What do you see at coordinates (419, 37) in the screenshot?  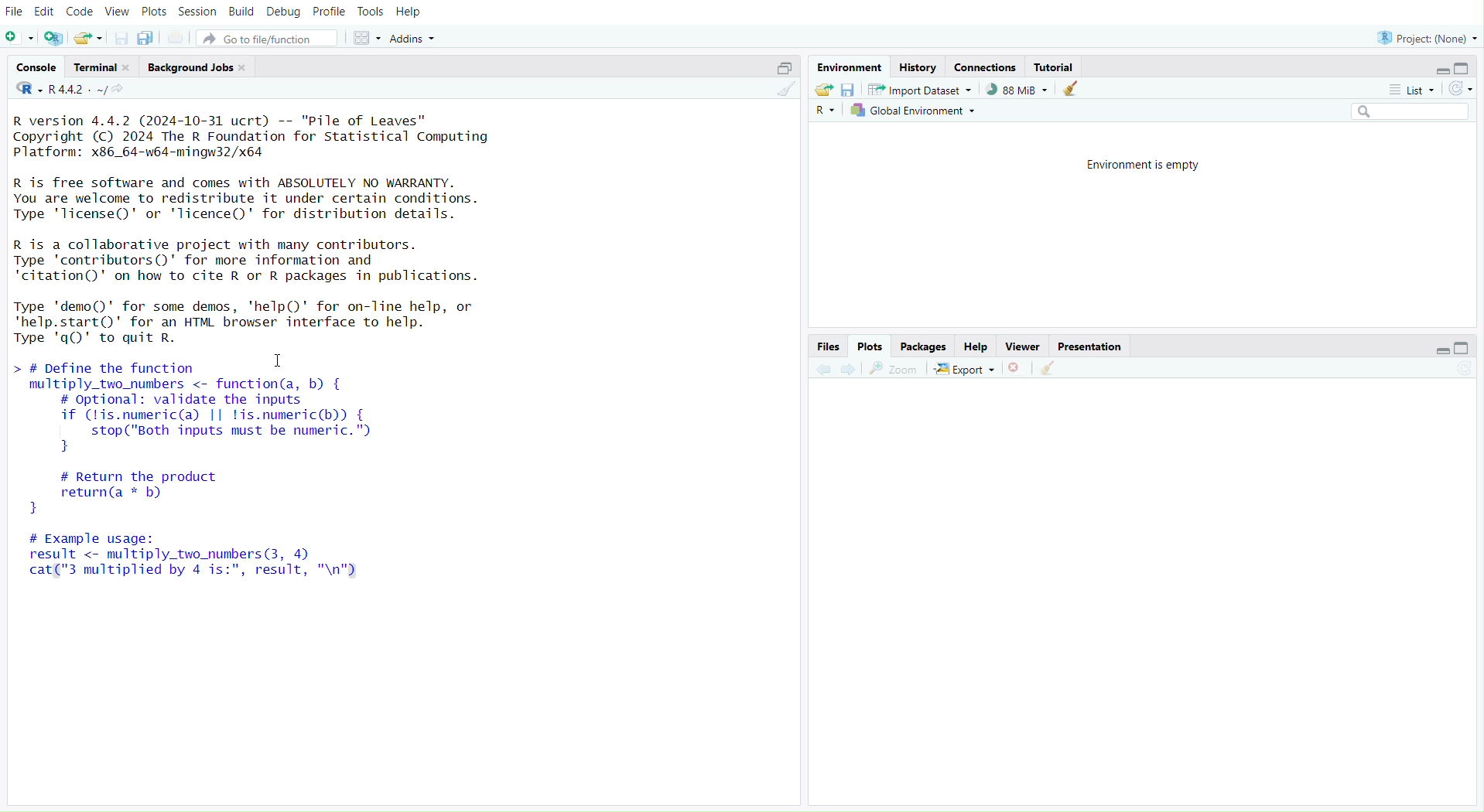 I see `Addins` at bounding box center [419, 37].